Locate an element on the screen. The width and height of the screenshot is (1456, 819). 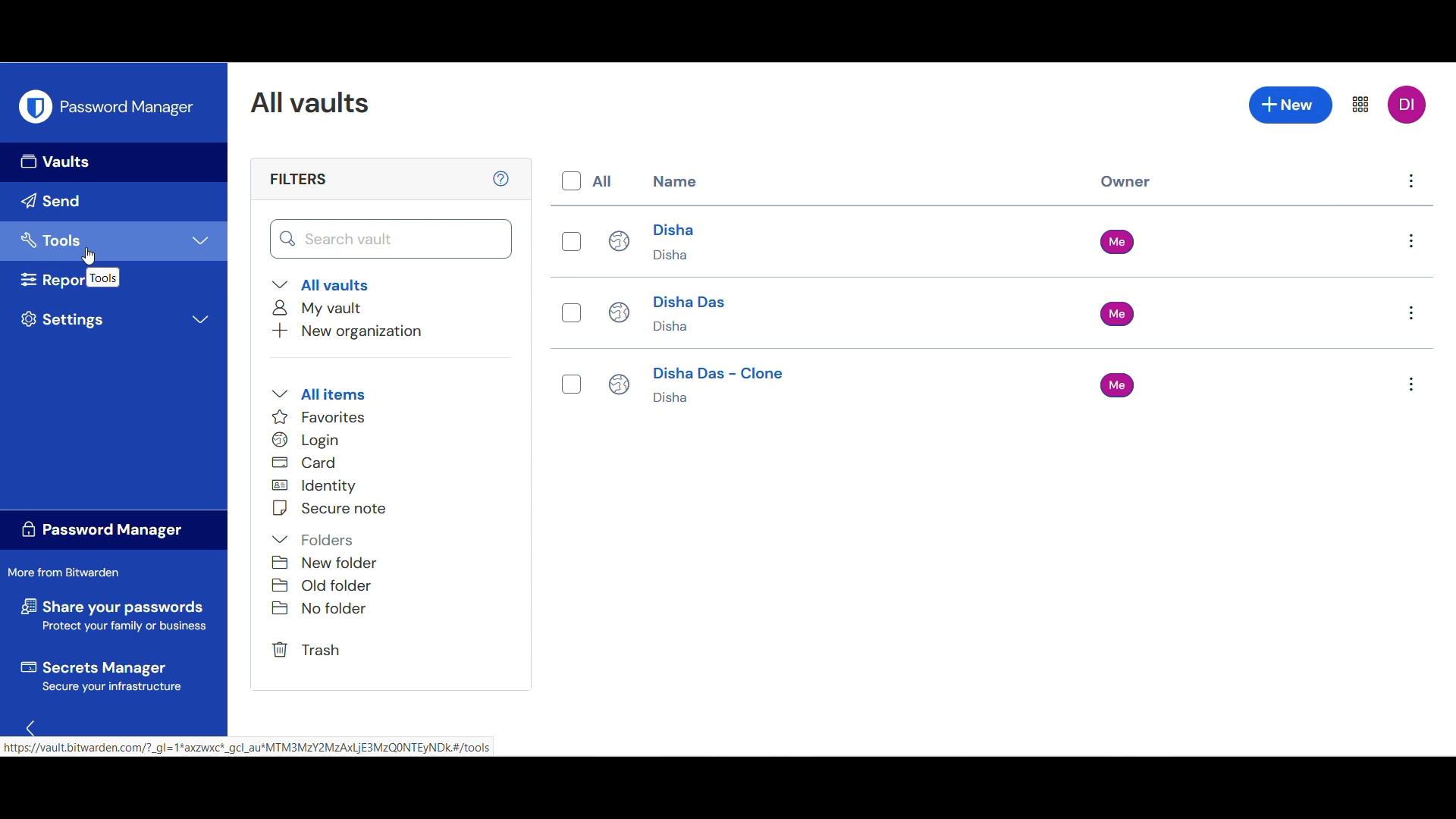
My vault is located at coordinates (321, 308).